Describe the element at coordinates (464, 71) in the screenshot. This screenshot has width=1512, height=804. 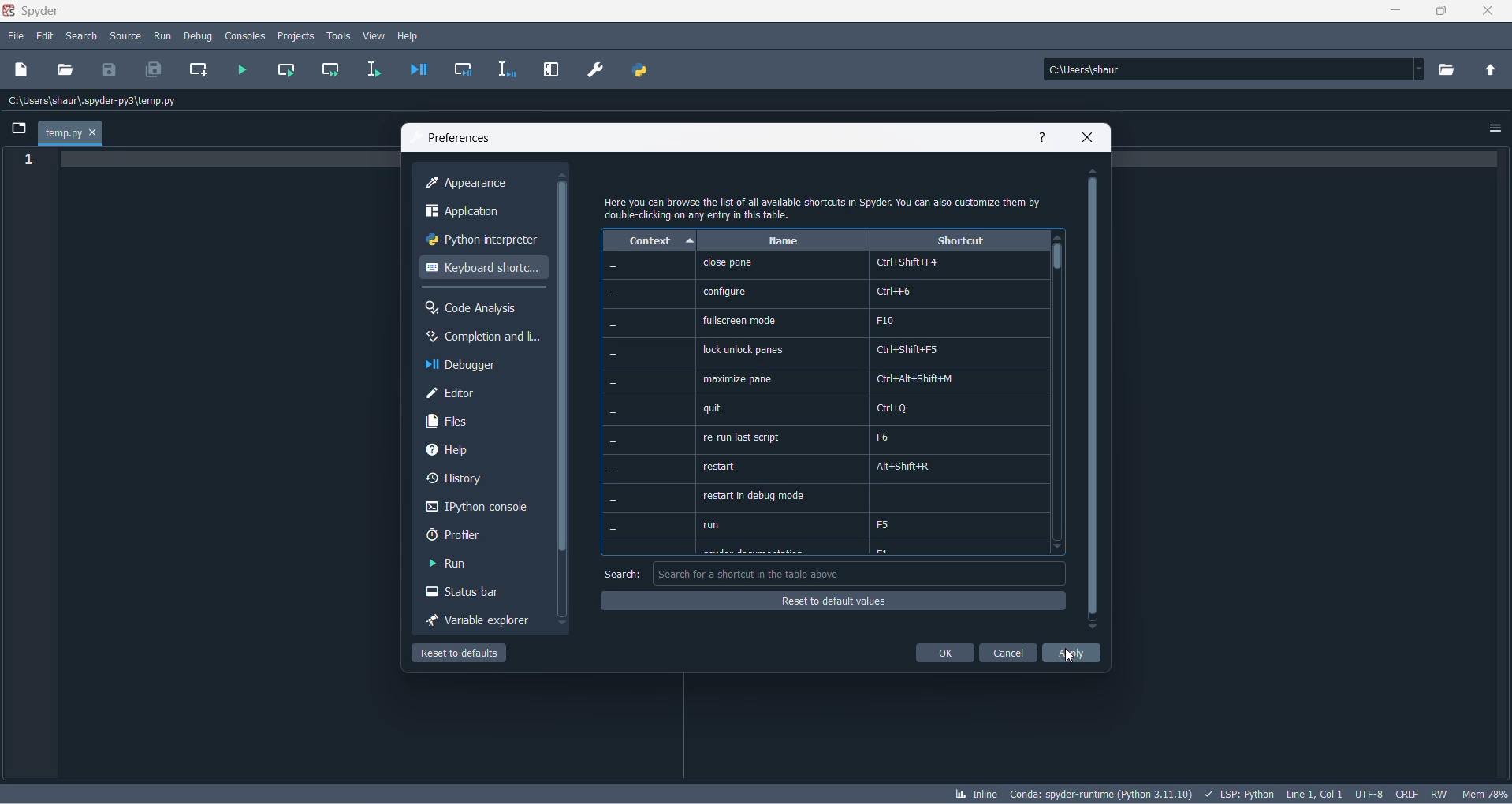
I see `debug cell` at that location.